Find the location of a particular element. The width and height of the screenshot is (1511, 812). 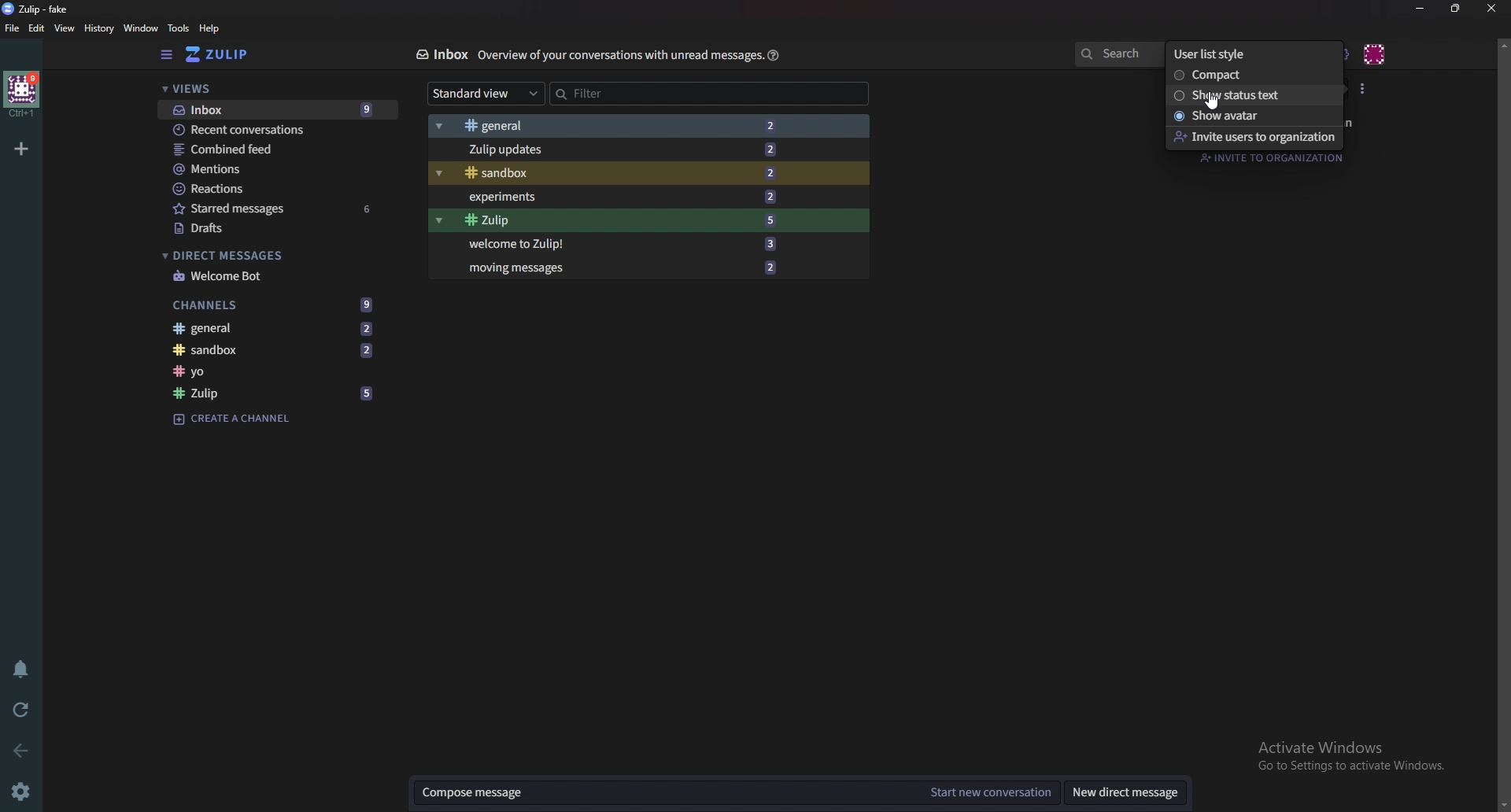

help is located at coordinates (775, 55).